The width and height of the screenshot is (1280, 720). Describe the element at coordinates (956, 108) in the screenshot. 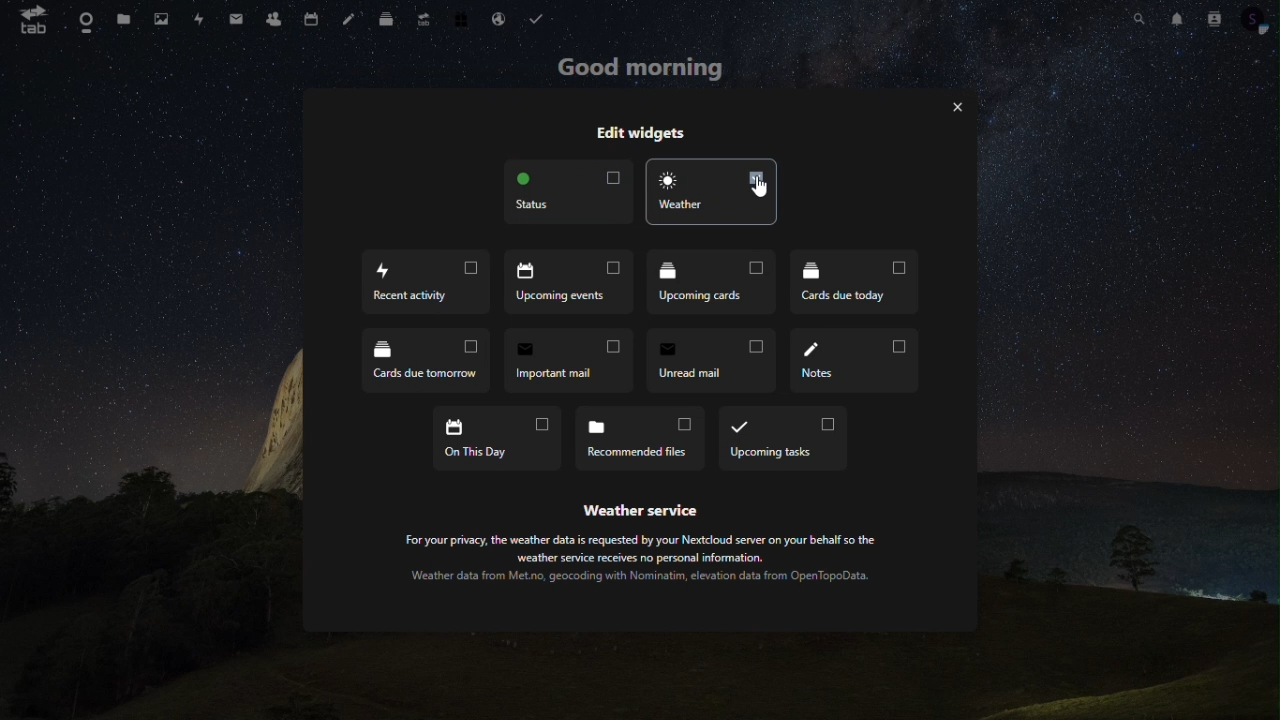

I see `exit` at that location.